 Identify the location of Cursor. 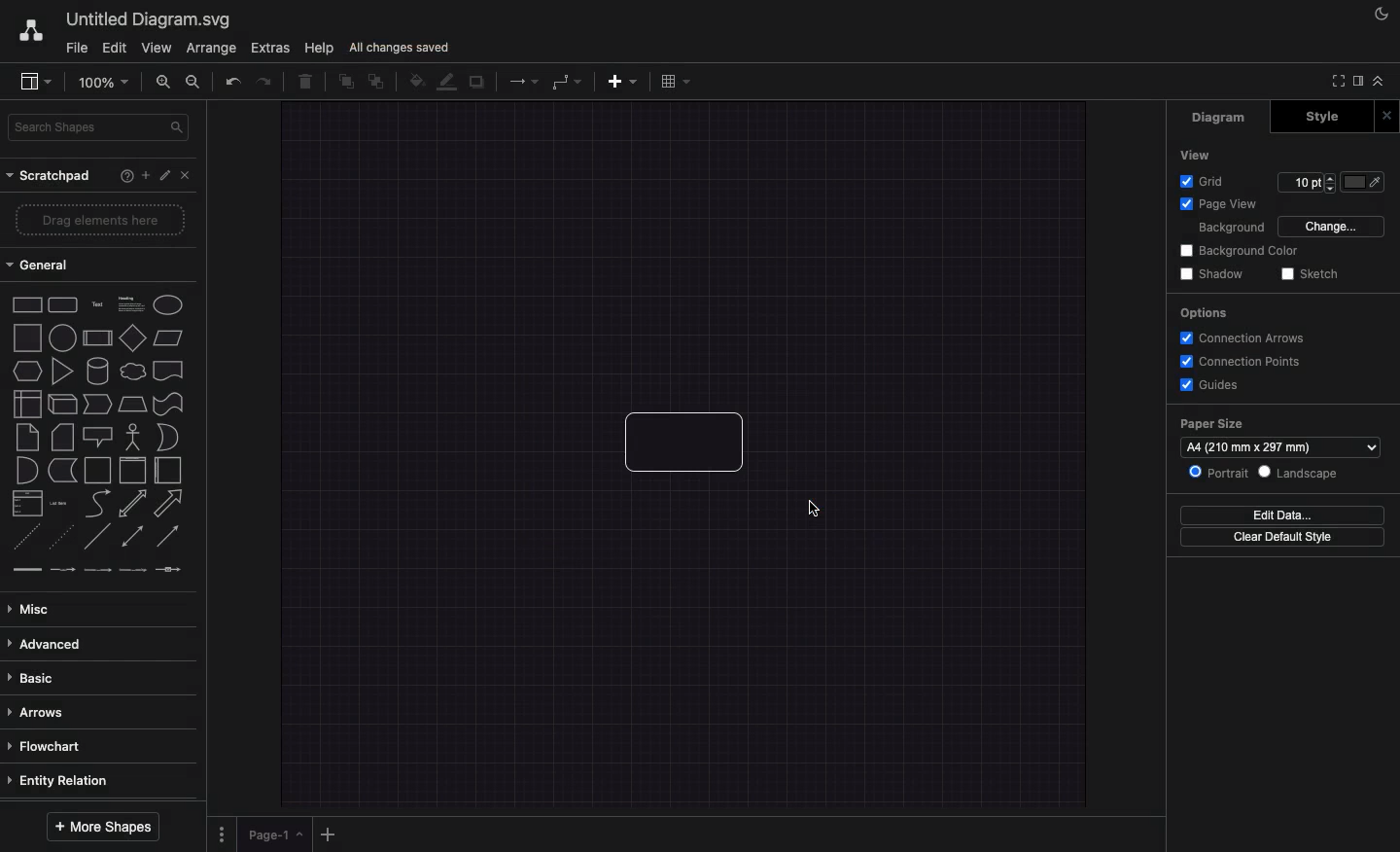
(821, 509).